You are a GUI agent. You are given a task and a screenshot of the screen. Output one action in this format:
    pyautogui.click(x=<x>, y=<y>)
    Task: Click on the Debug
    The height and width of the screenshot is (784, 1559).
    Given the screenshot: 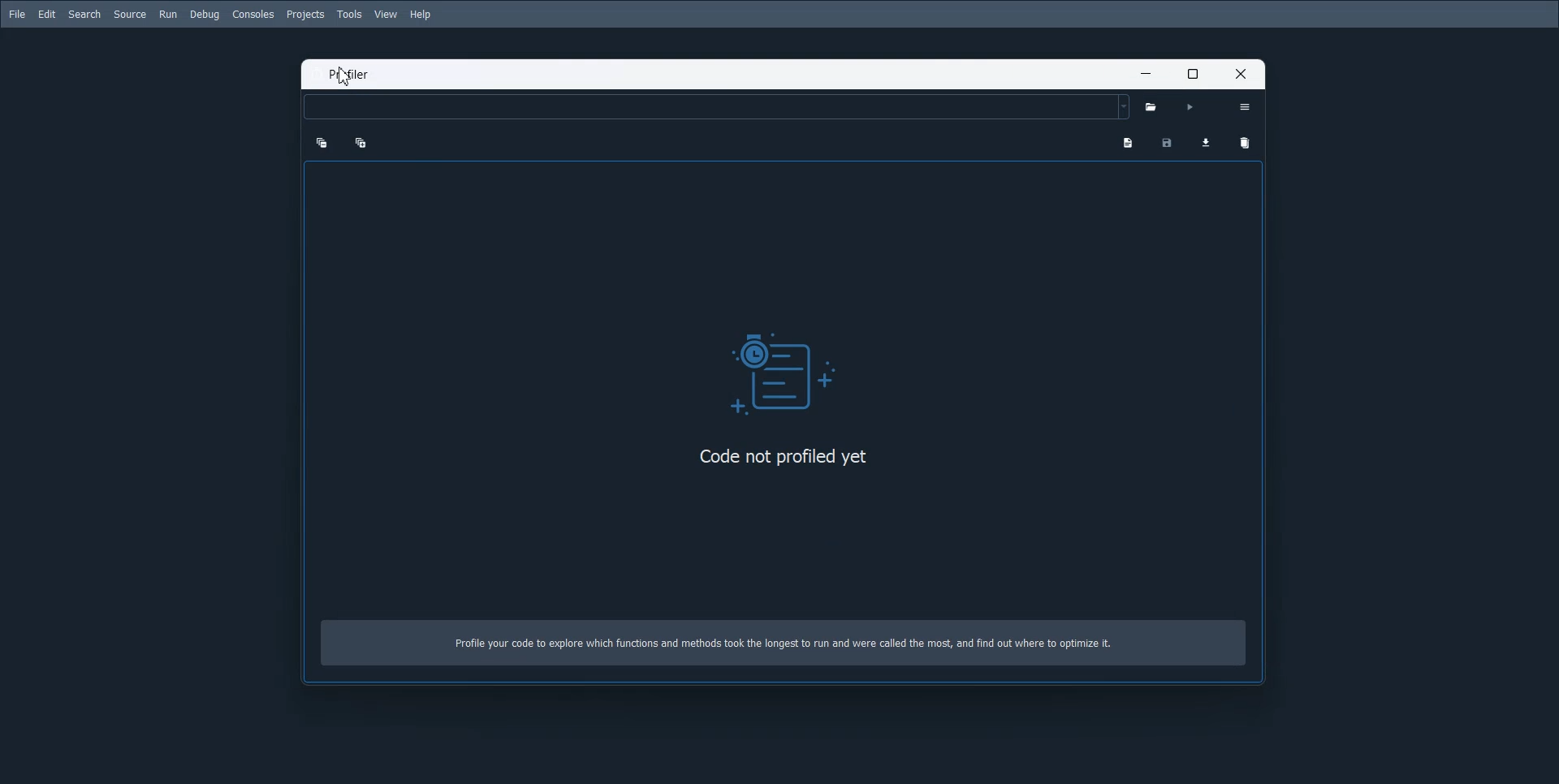 What is the action you would take?
    pyautogui.click(x=205, y=15)
    